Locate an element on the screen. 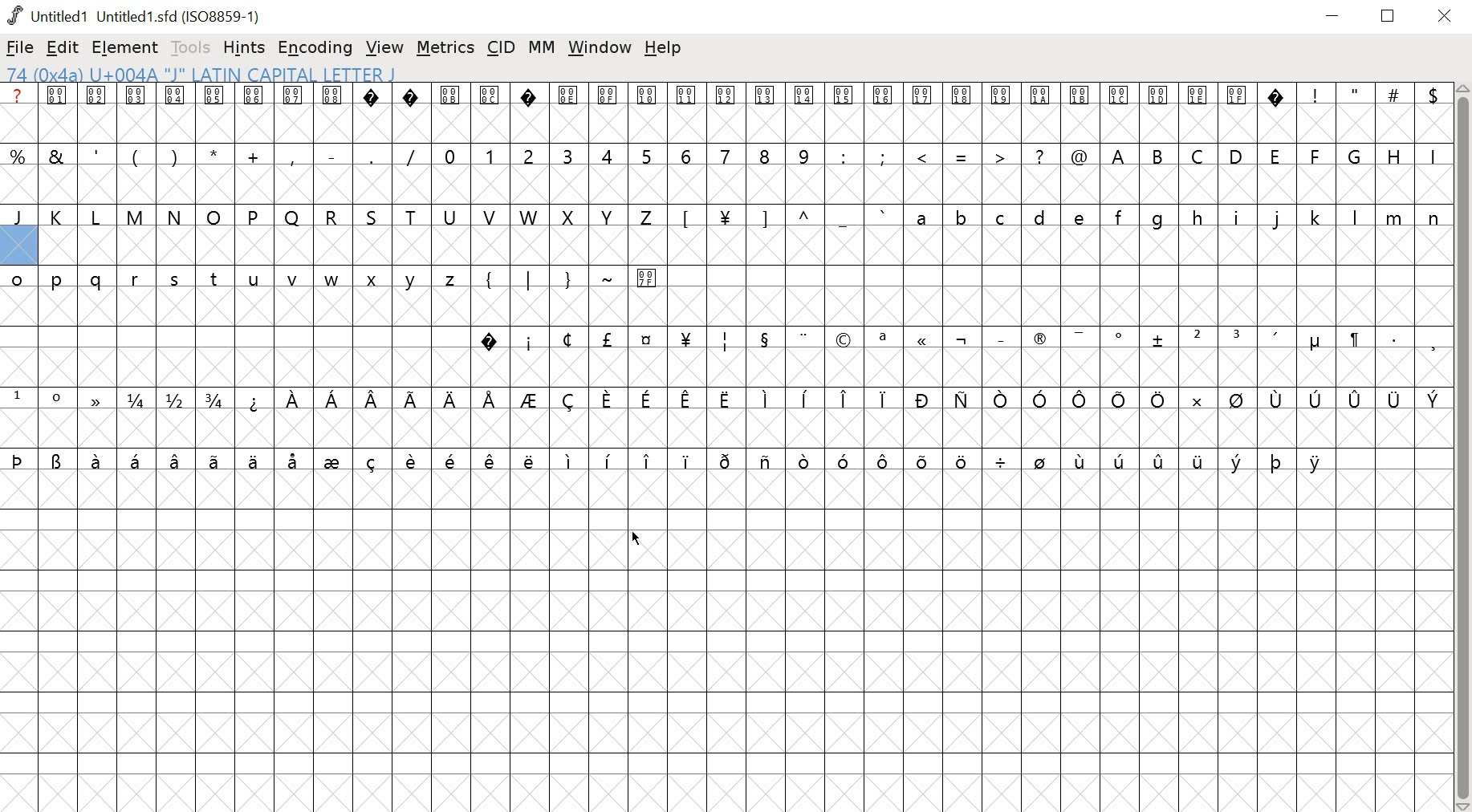  symbols is located at coordinates (783, 217).